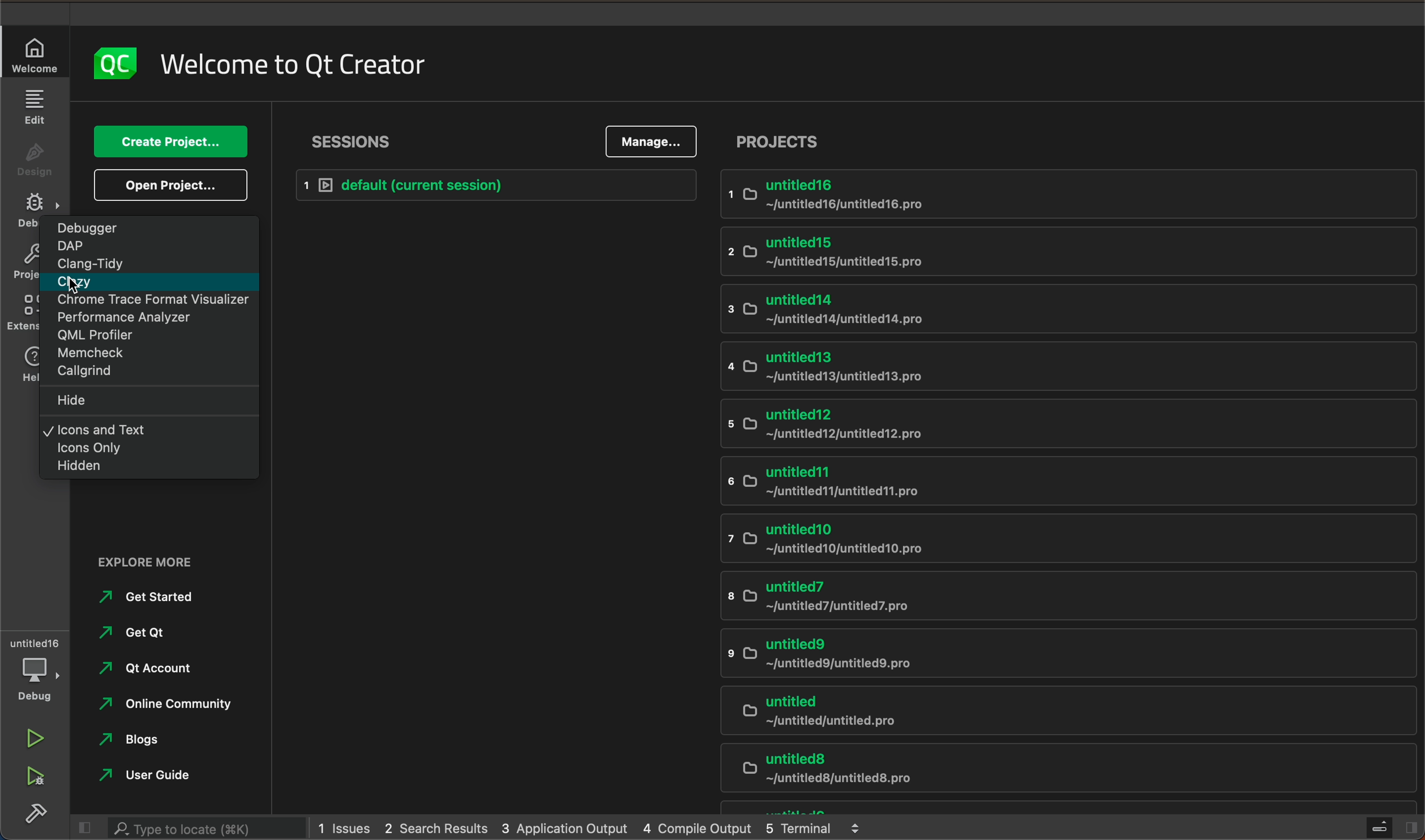  I want to click on get qt, so click(165, 636).